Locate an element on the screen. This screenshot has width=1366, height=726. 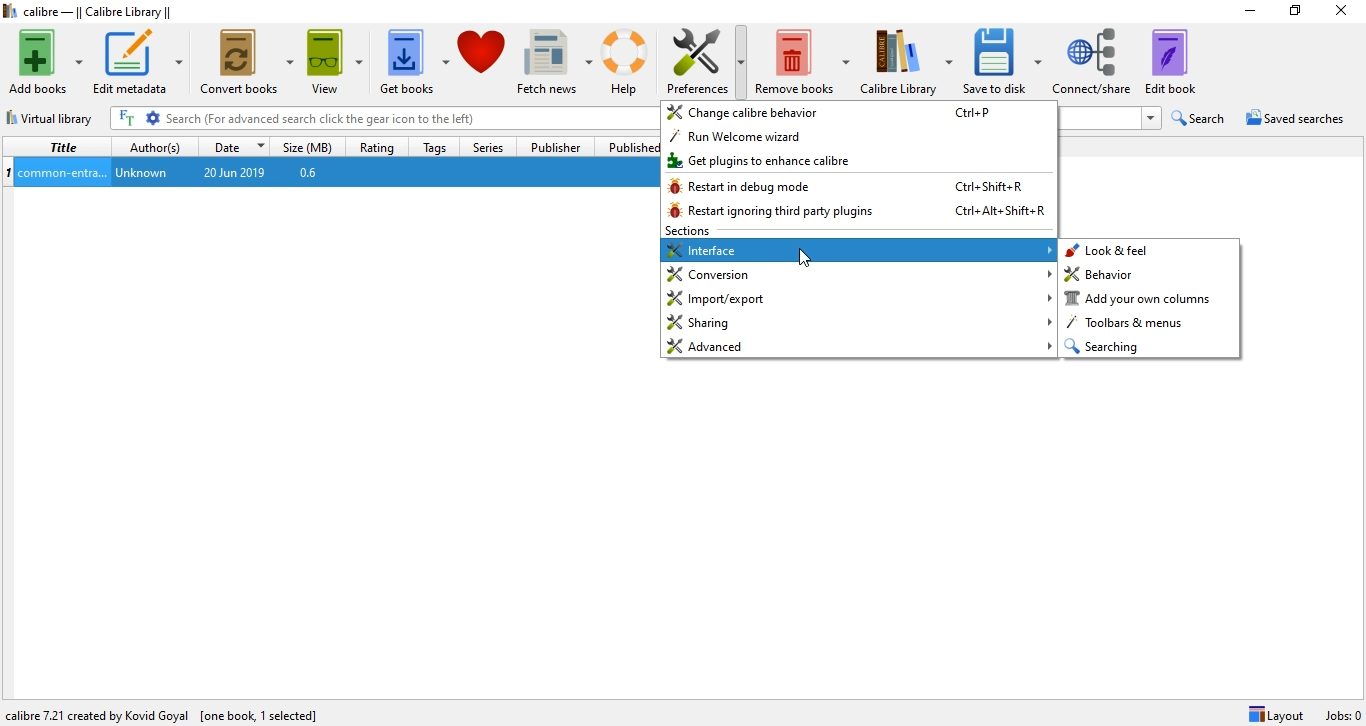
Search bar is located at coordinates (410, 118).